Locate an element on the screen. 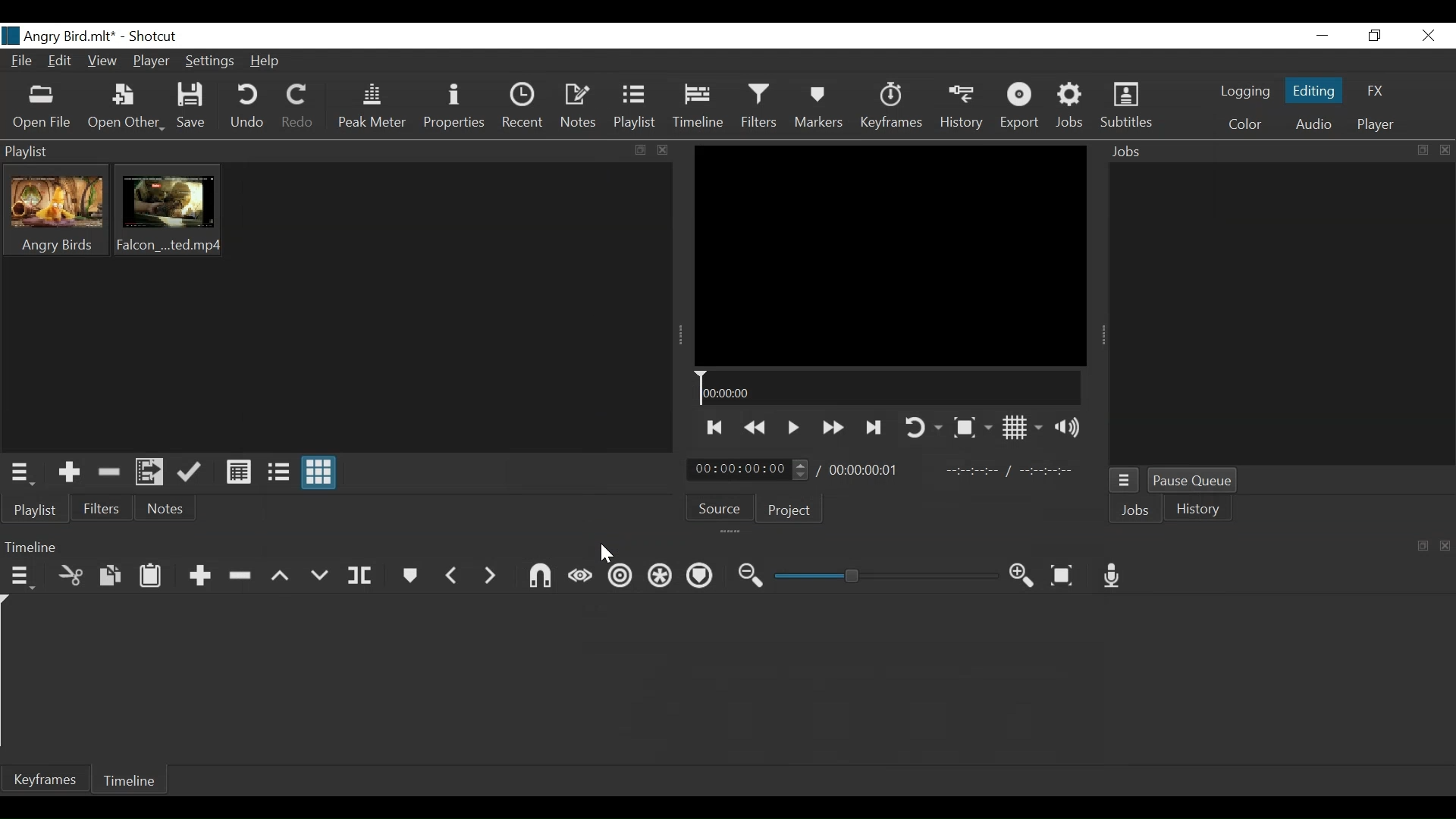 The width and height of the screenshot is (1456, 819). Filters is located at coordinates (102, 507).